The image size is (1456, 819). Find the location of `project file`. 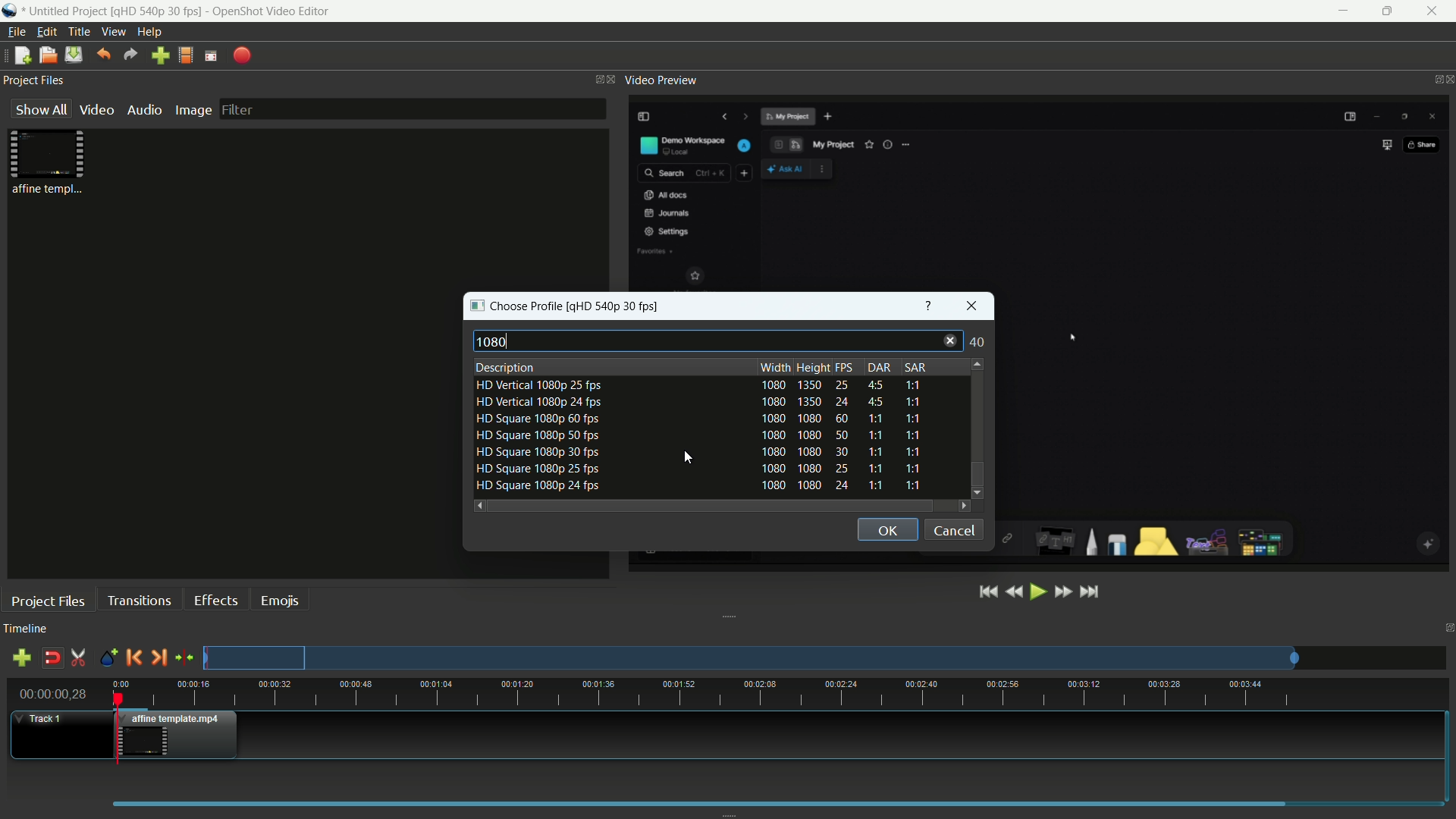

project file is located at coordinates (49, 161).